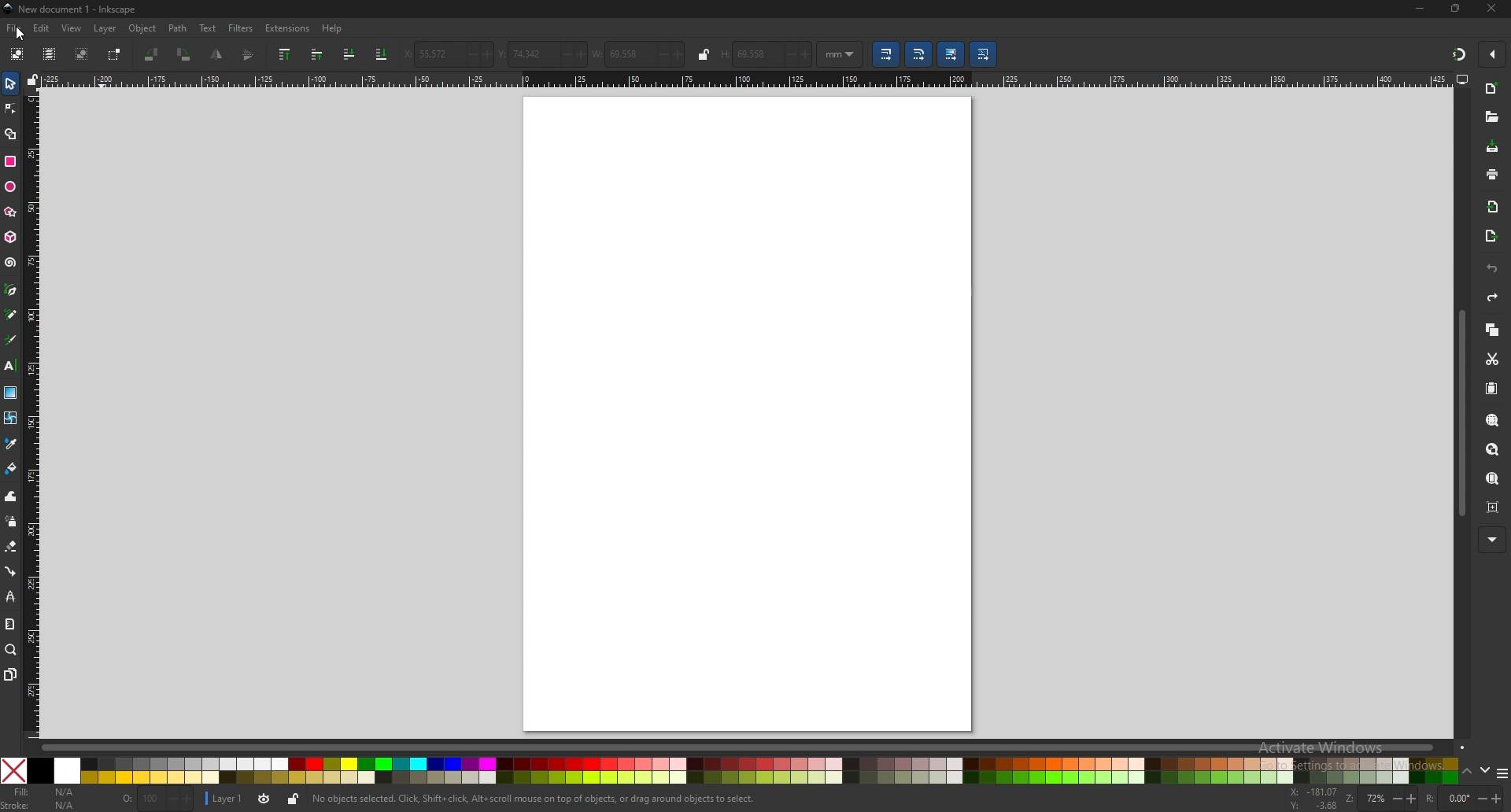  Describe the element at coordinates (10, 624) in the screenshot. I see `measure` at that location.